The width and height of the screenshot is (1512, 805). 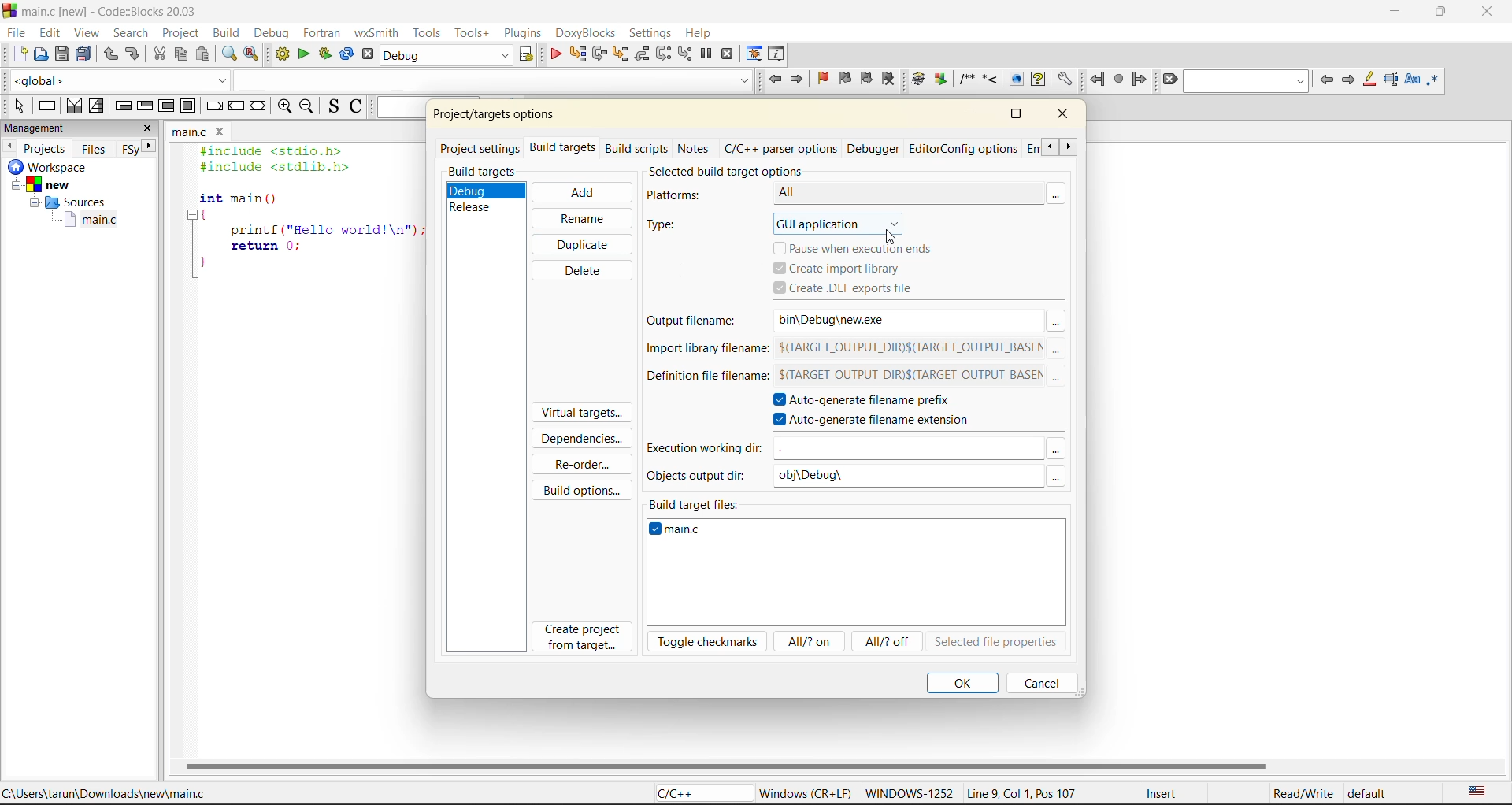 I want to click on More, so click(x=1055, y=477).